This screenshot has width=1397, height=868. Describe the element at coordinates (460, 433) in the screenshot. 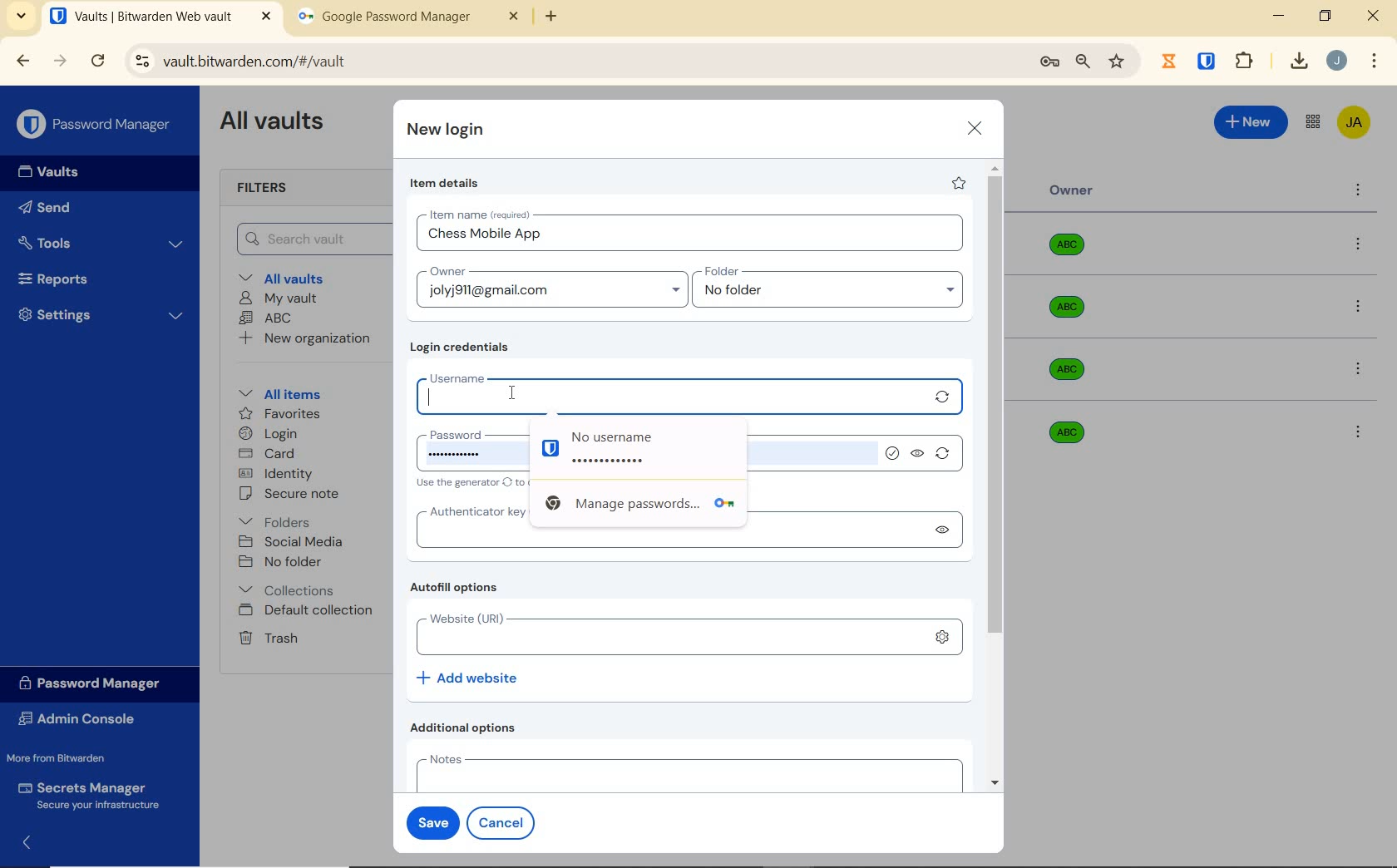

I see `password` at that location.